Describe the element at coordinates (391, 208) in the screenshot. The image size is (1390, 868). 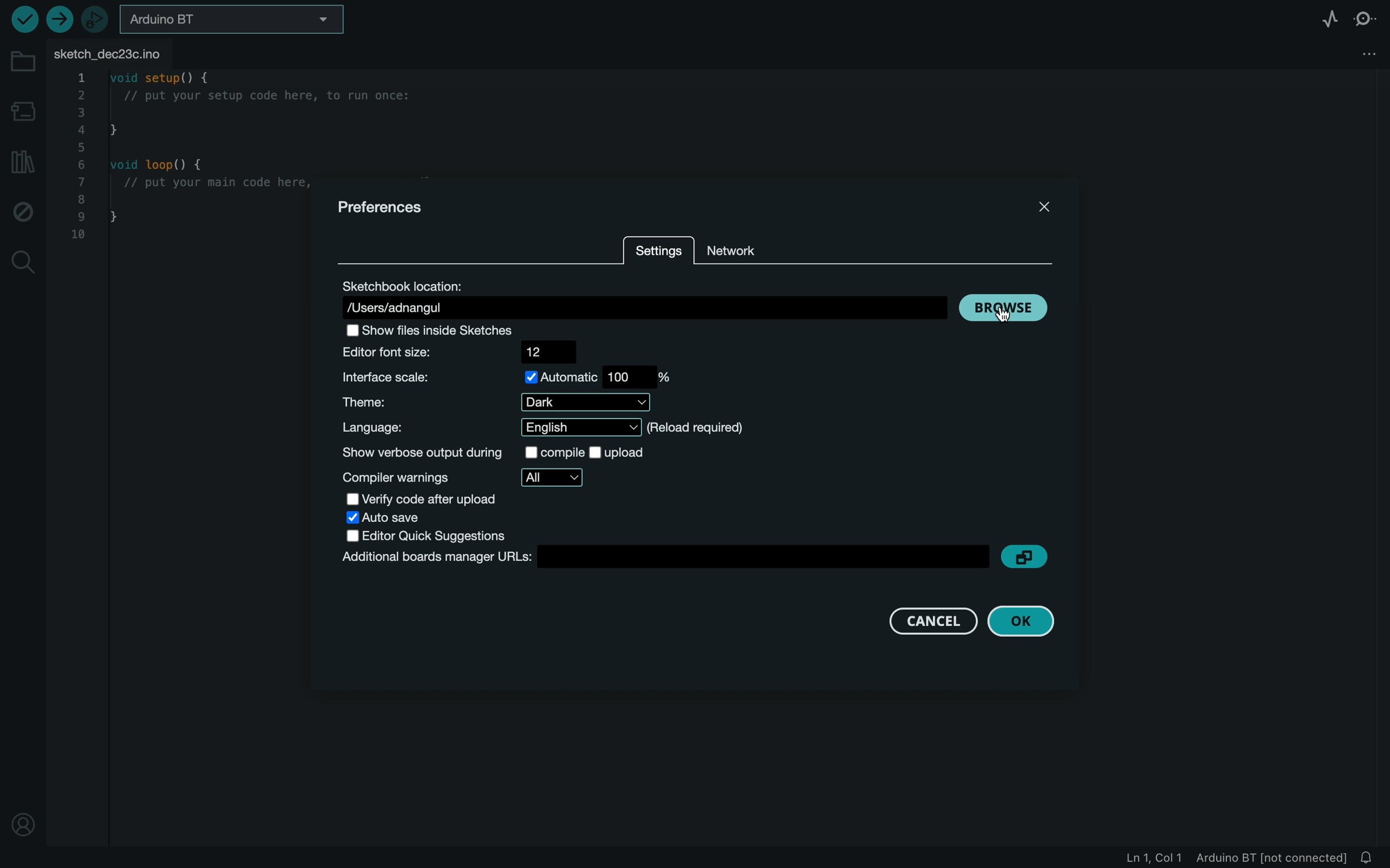
I see `preferences` at that location.